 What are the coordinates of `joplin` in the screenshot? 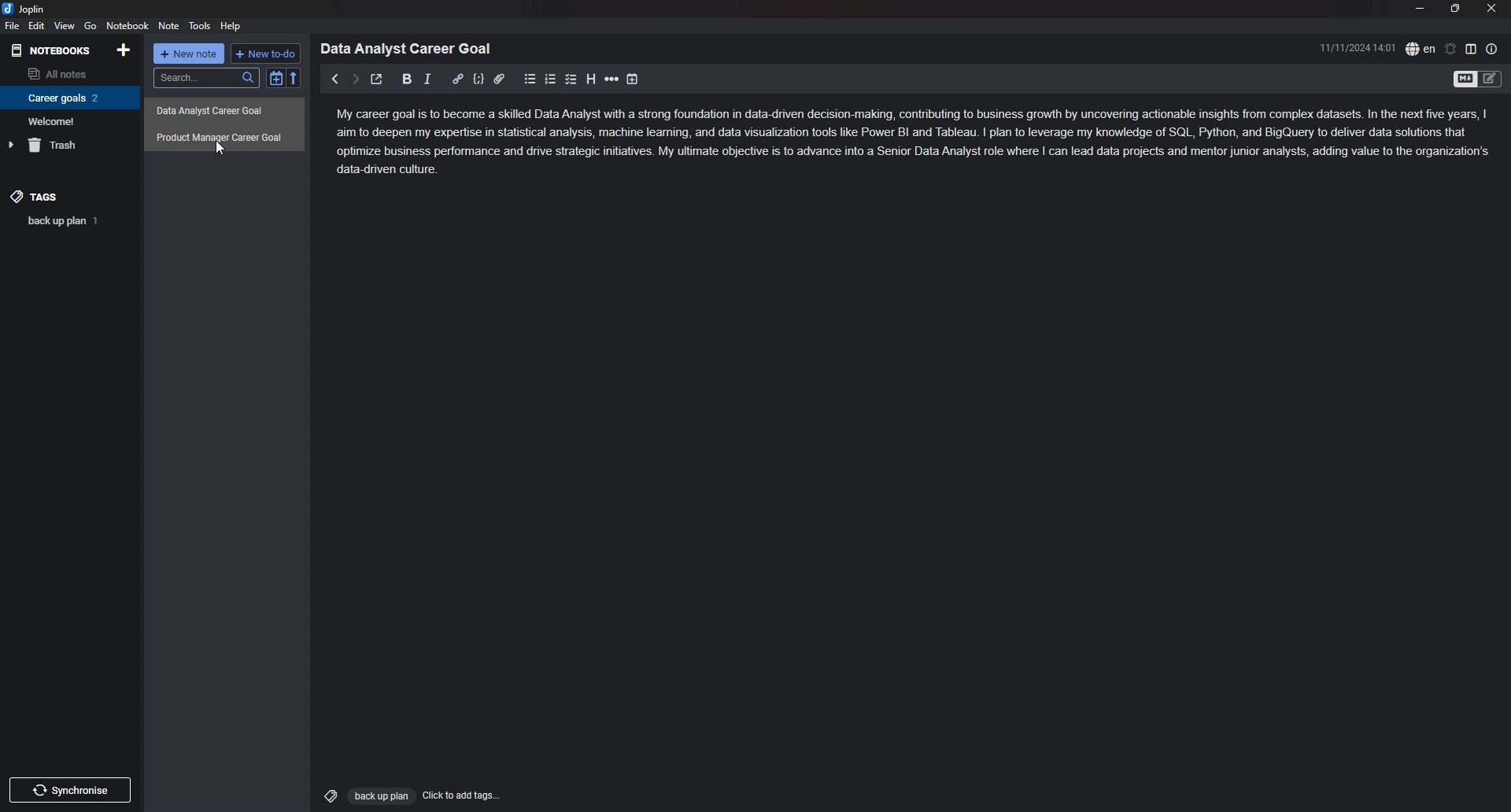 It's located at (25, 9).